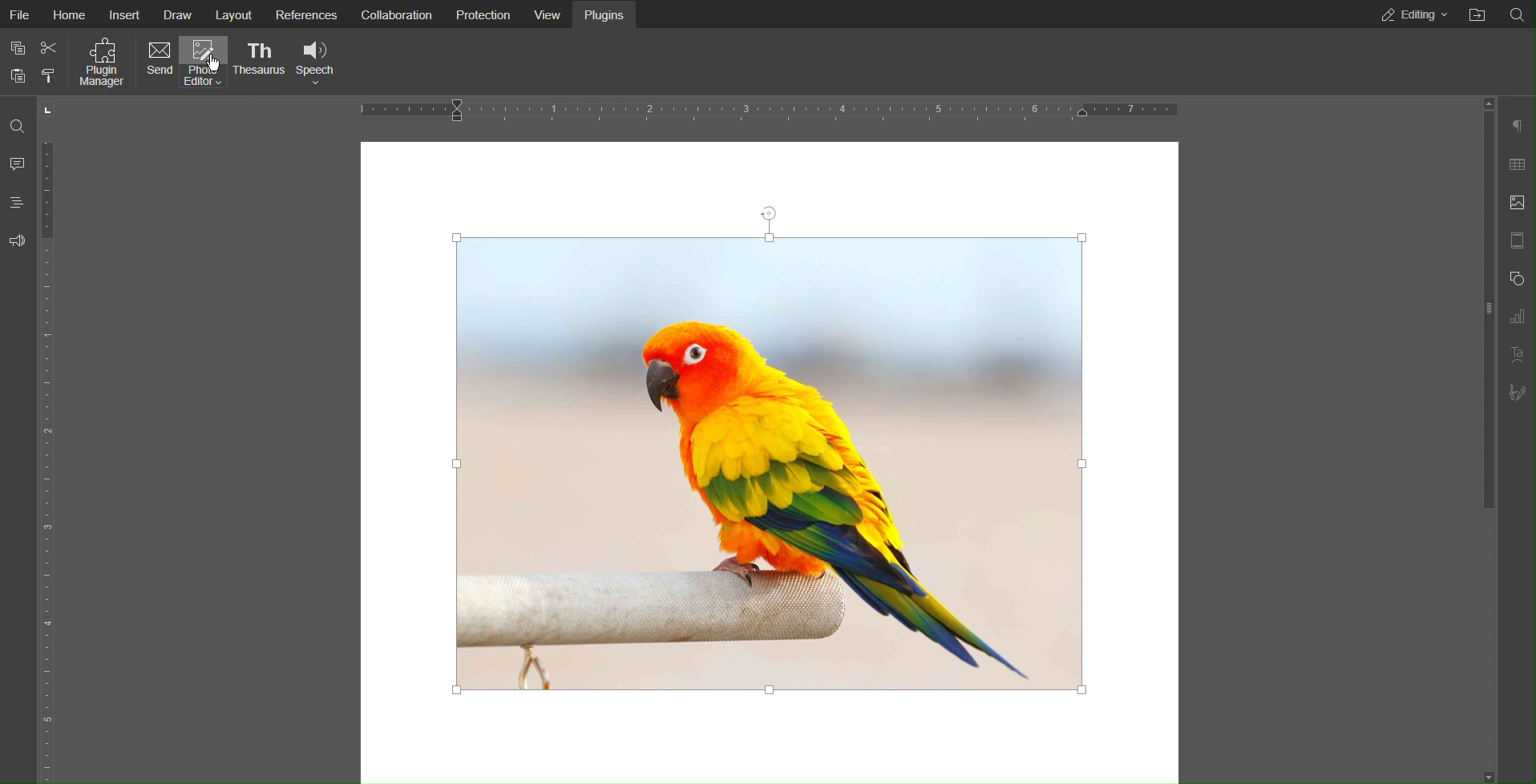 The width and height of the screenshot is (1536, 784). What do you see at coordinates (1515, 279) in the screenshot?
I see `Shape Settings` at bounding box center [1515, 279].